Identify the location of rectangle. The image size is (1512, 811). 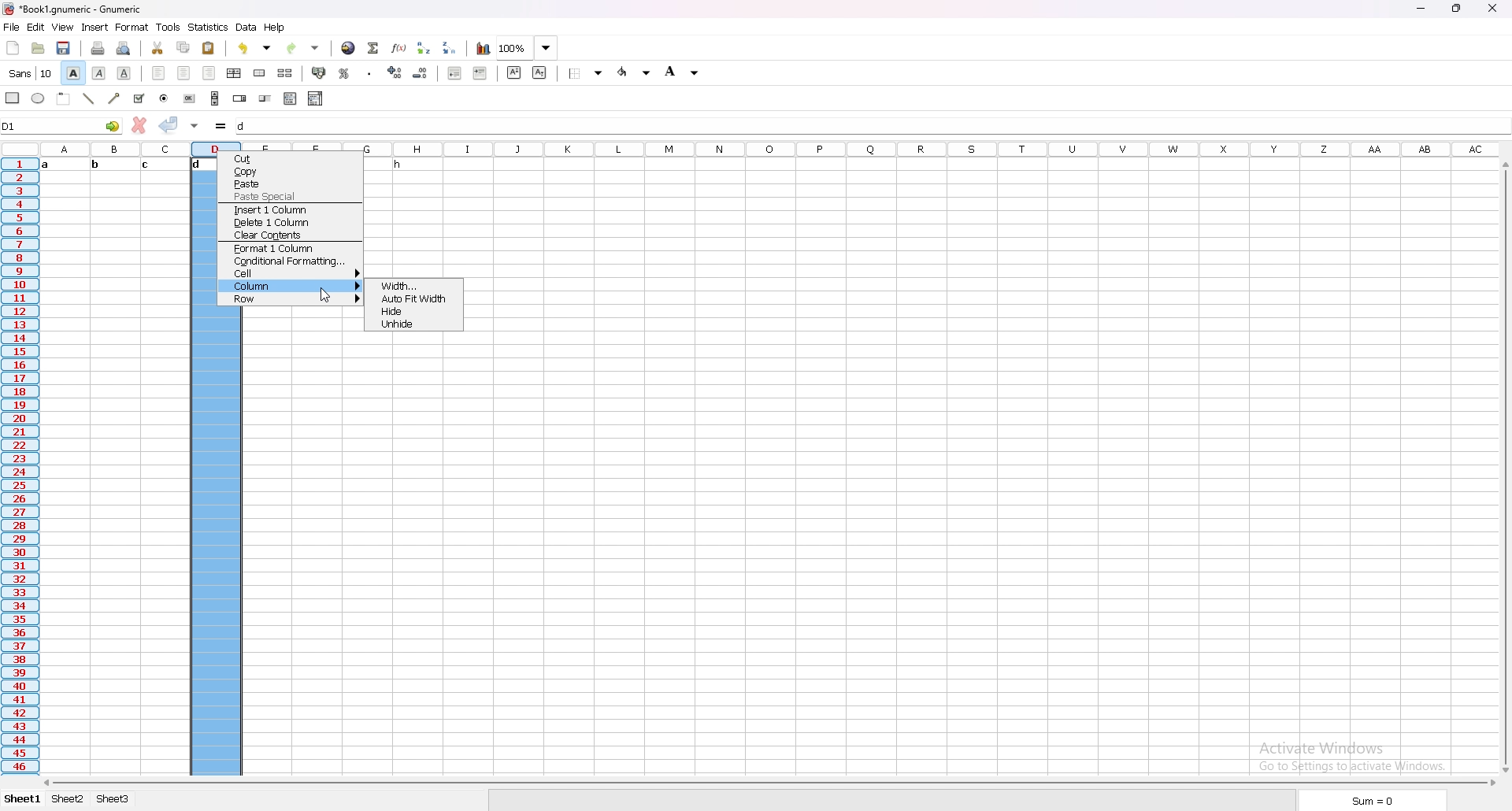
(13, 98).